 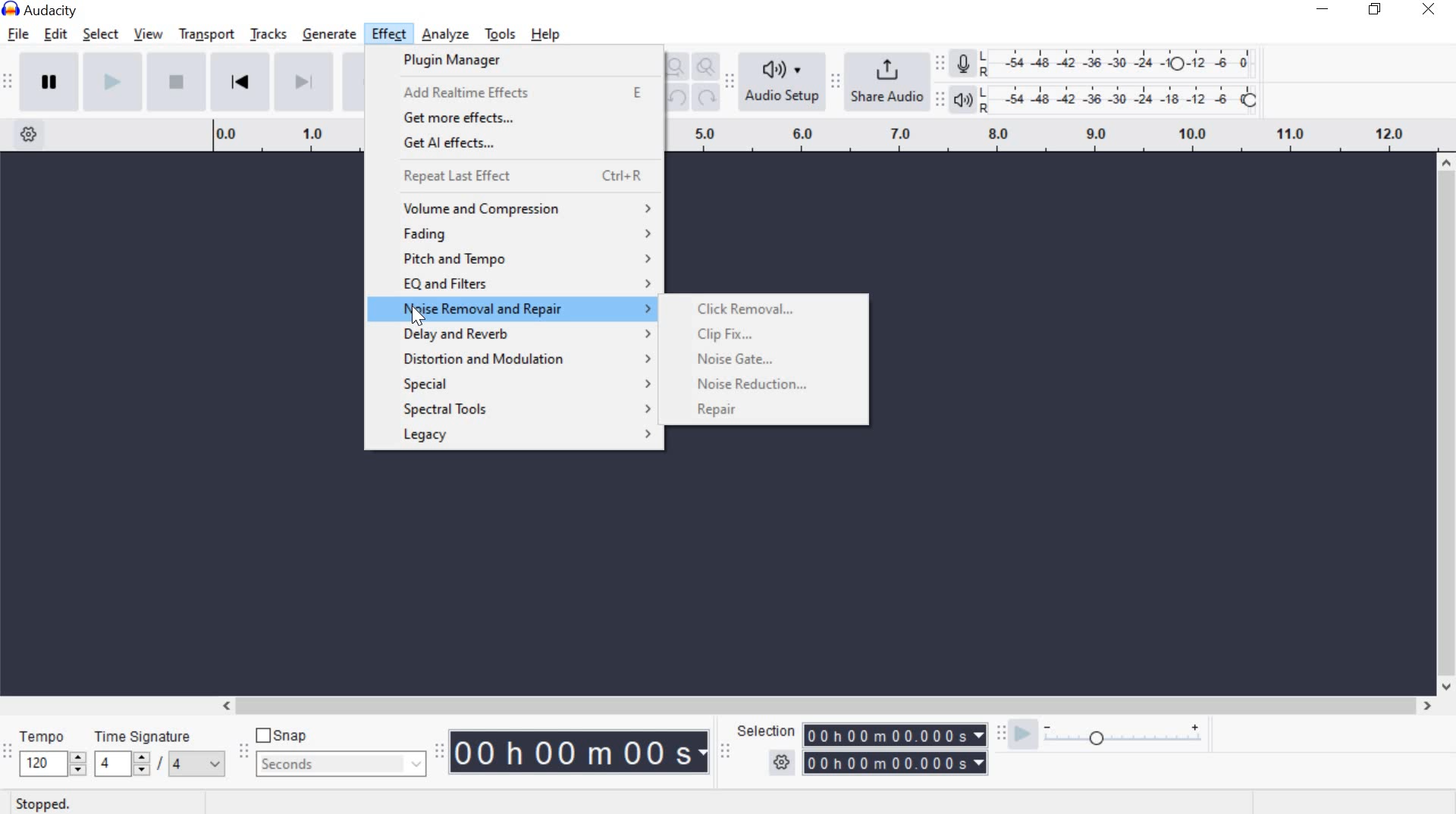 I want to click on Looping Region, so click(x=1056, y=136).